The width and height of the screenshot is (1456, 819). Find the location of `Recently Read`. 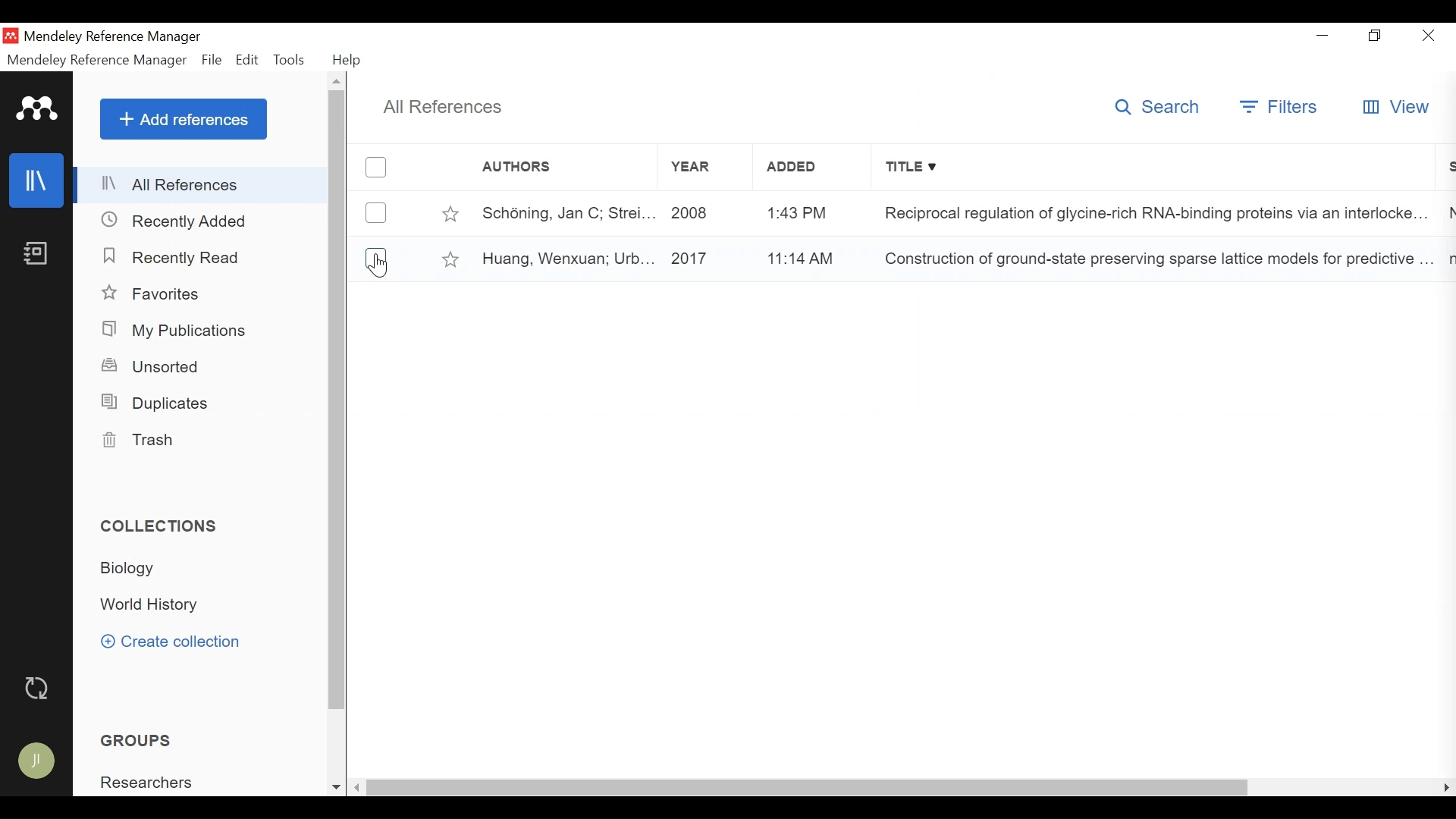

Recently Read is located at coordinates (174, 256).